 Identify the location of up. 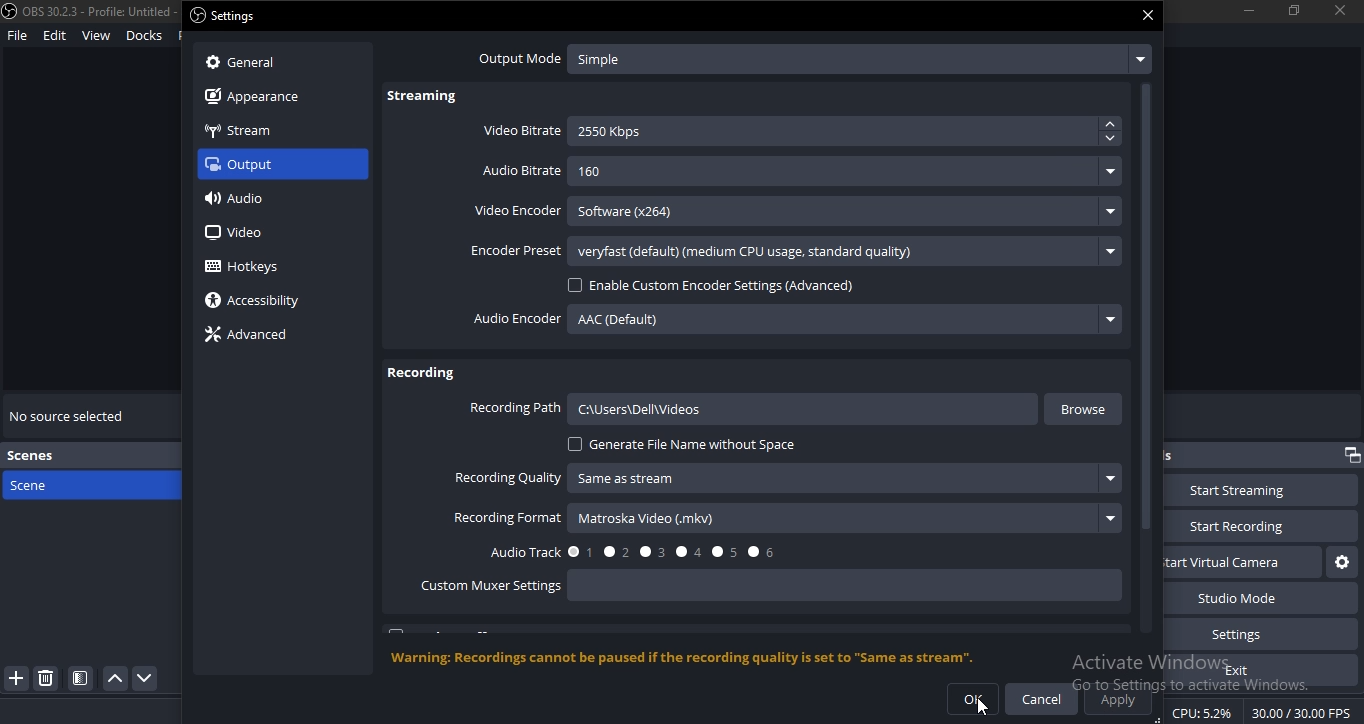
(1112, 125).